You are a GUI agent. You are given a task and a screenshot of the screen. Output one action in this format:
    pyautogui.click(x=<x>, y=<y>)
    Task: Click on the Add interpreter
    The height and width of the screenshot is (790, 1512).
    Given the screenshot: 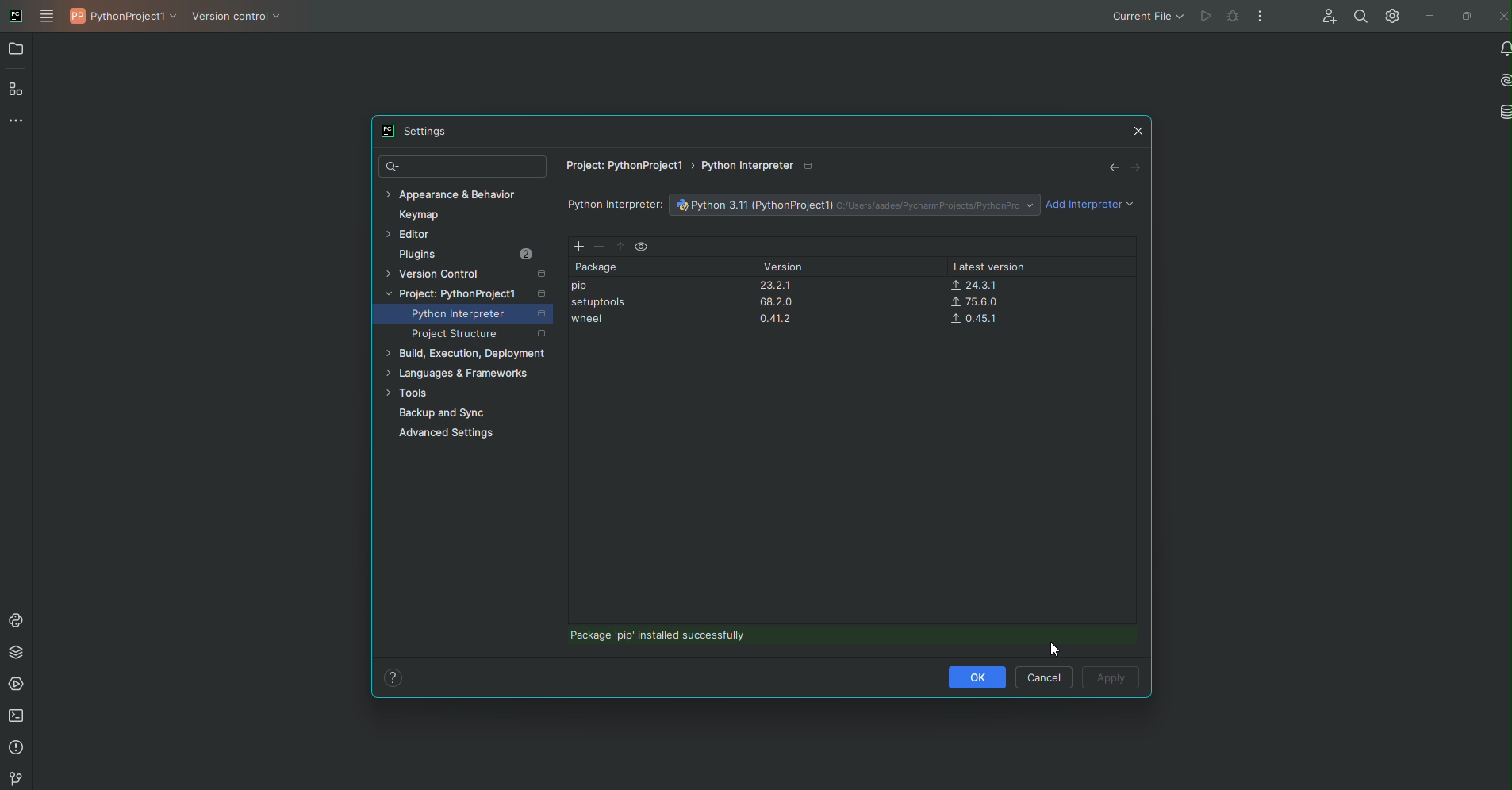 What is the action you would take?
    pyautogui.click(x=1091, y=205)
    